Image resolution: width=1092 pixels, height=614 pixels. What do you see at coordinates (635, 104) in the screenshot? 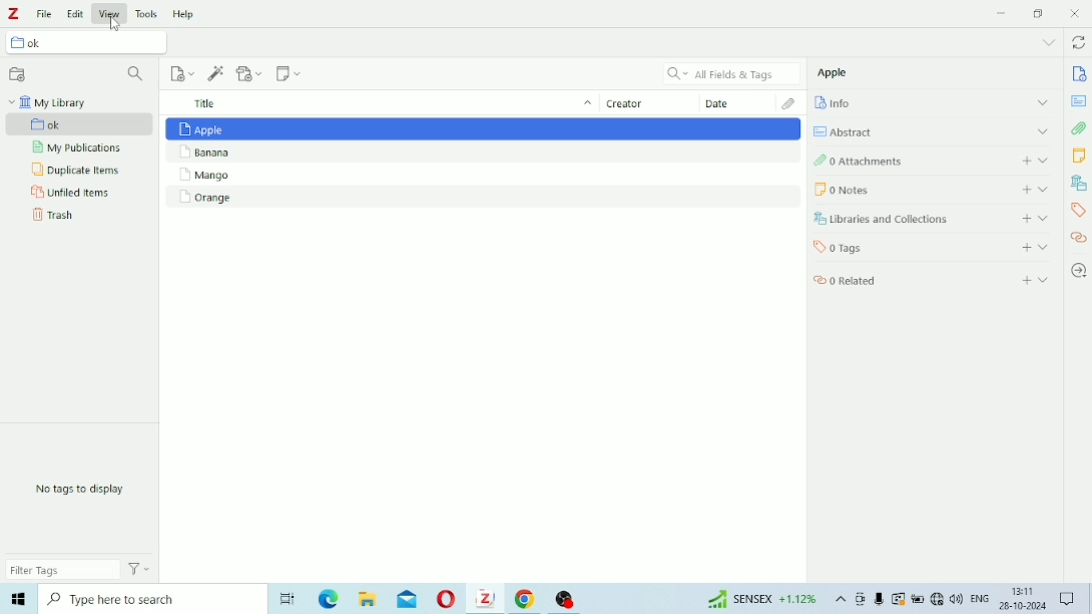
I see `Creator` at bounding box center [635, 104].